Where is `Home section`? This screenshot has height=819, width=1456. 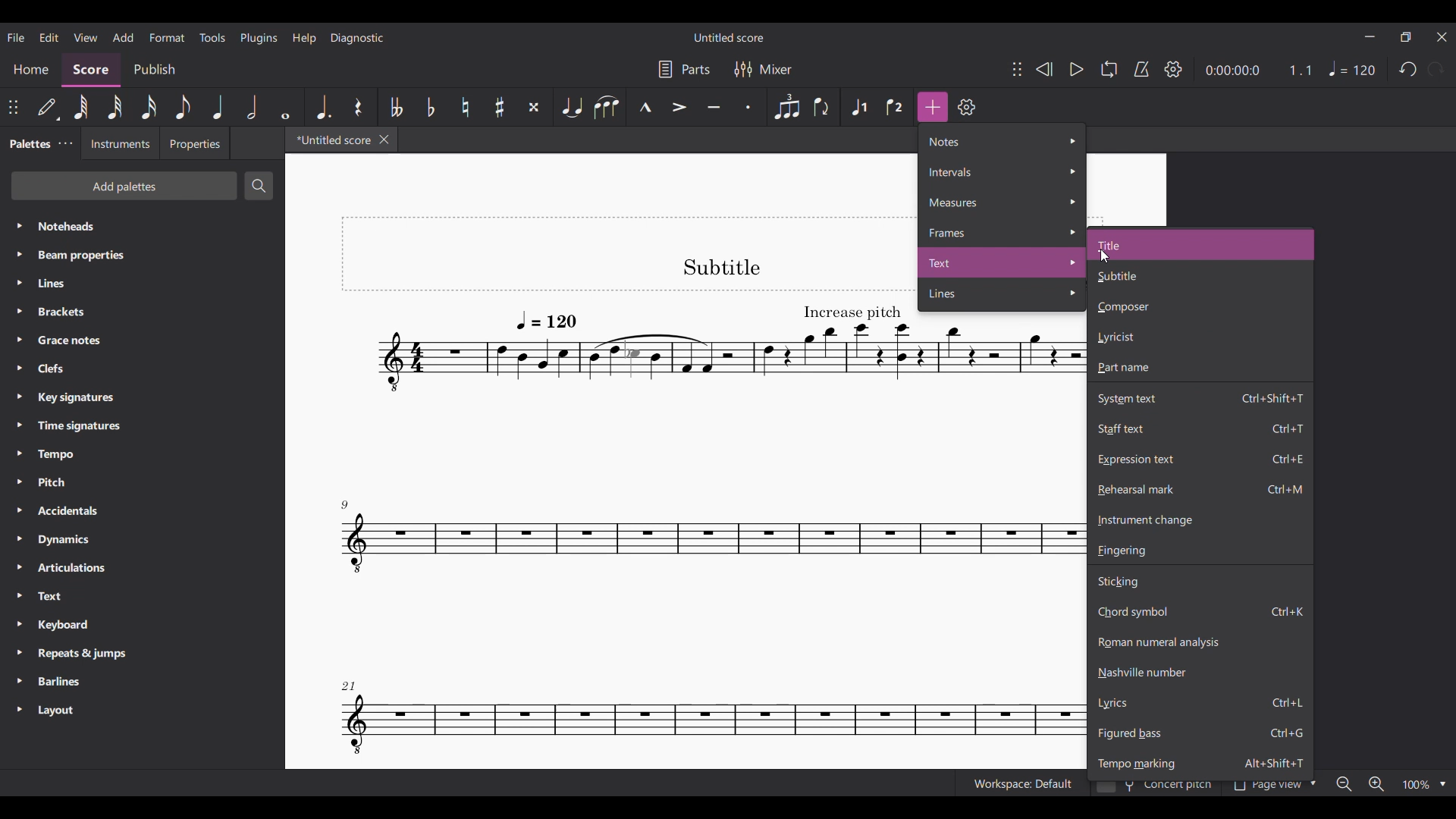
Home section is located at coordinates (31, 70).